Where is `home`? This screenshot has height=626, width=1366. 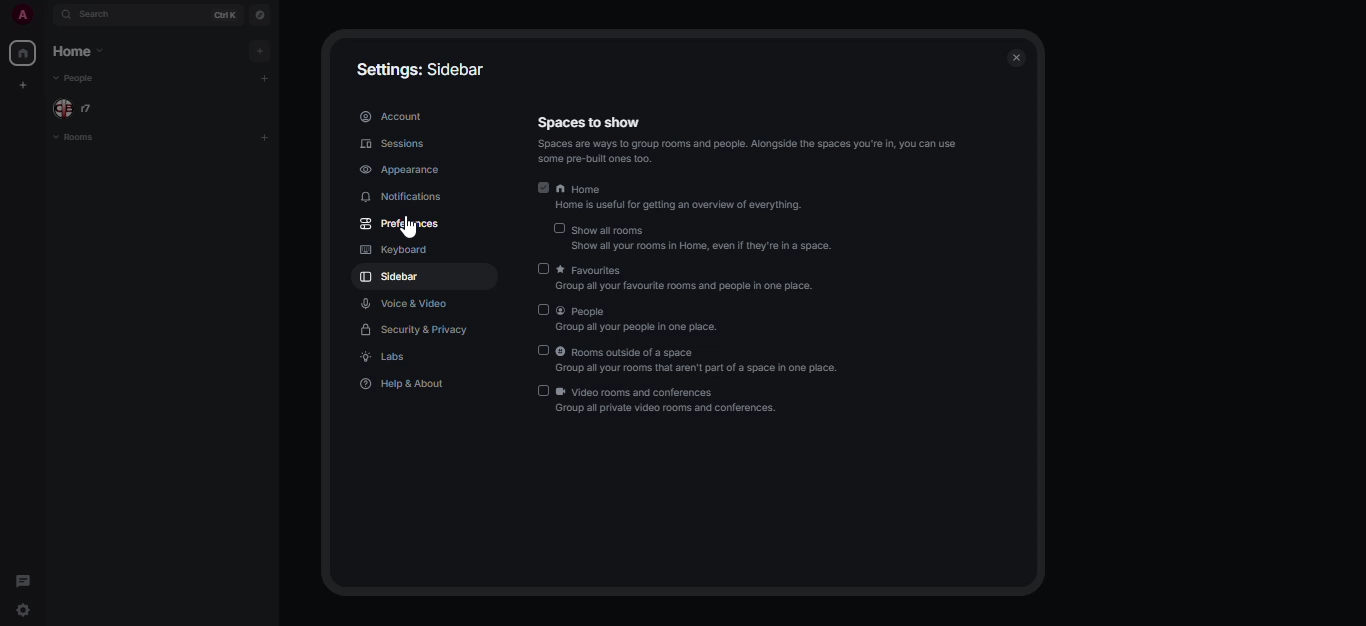 home is located at coordinates (25, 53).